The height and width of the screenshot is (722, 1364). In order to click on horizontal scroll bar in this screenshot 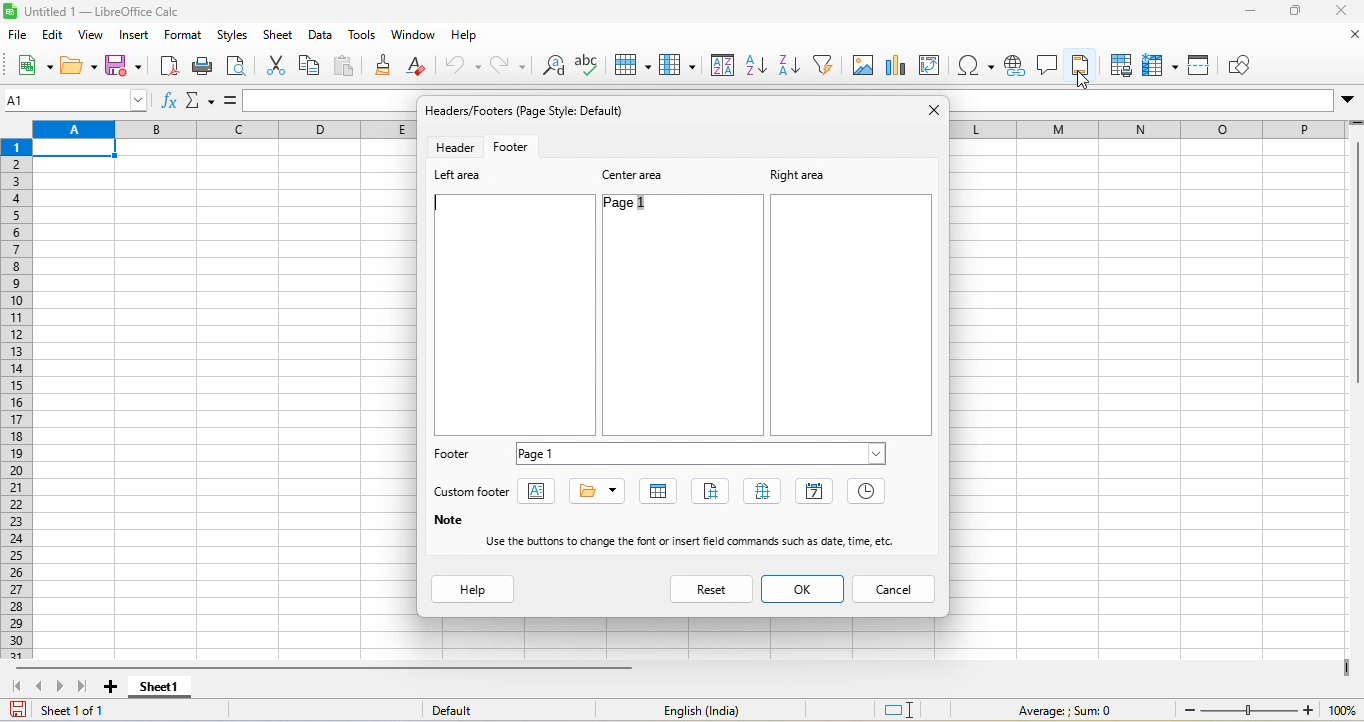, I will do `click(324, 667)`.